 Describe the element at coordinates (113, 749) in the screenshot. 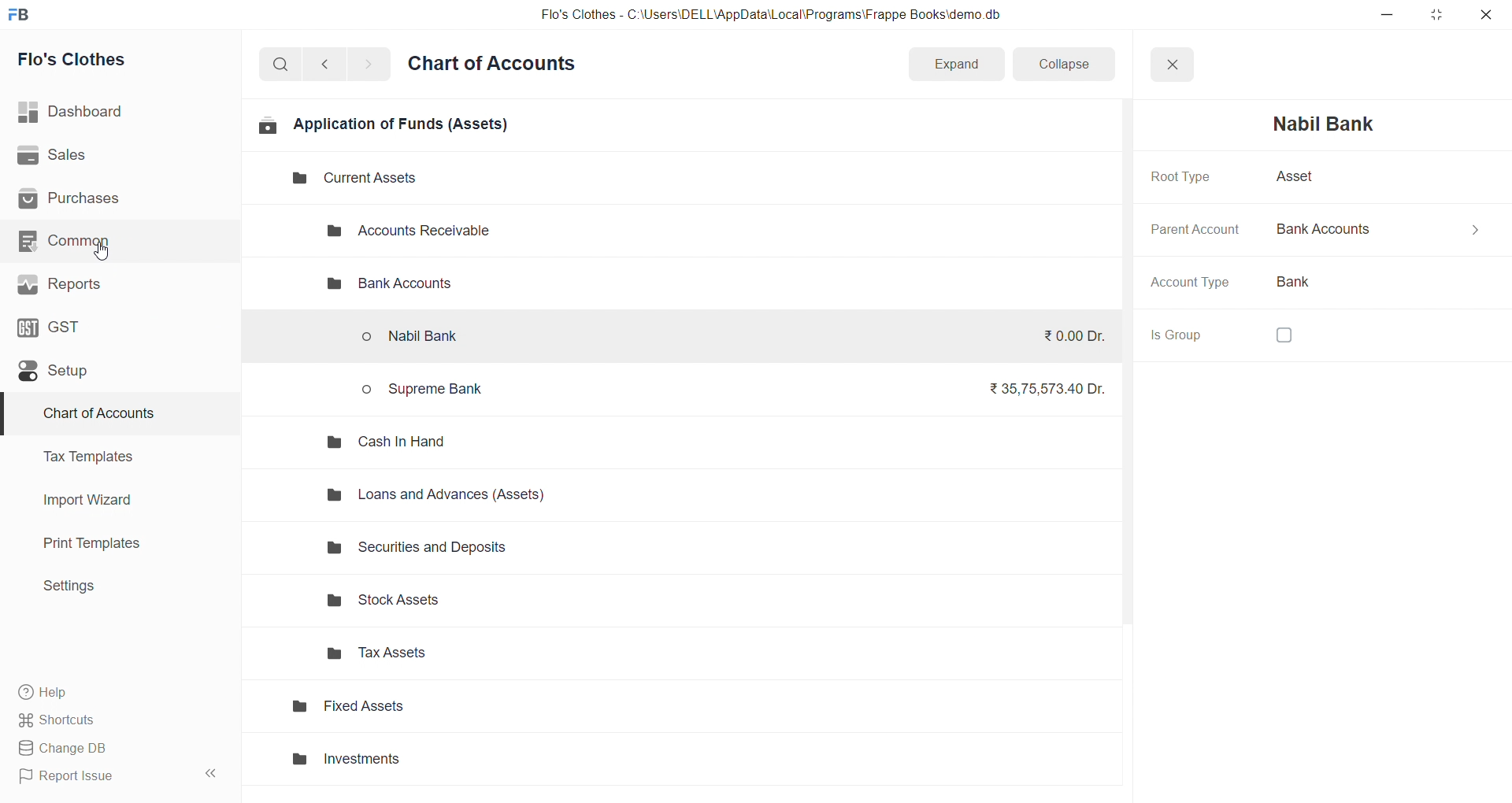

I see `Change DB` at that location.